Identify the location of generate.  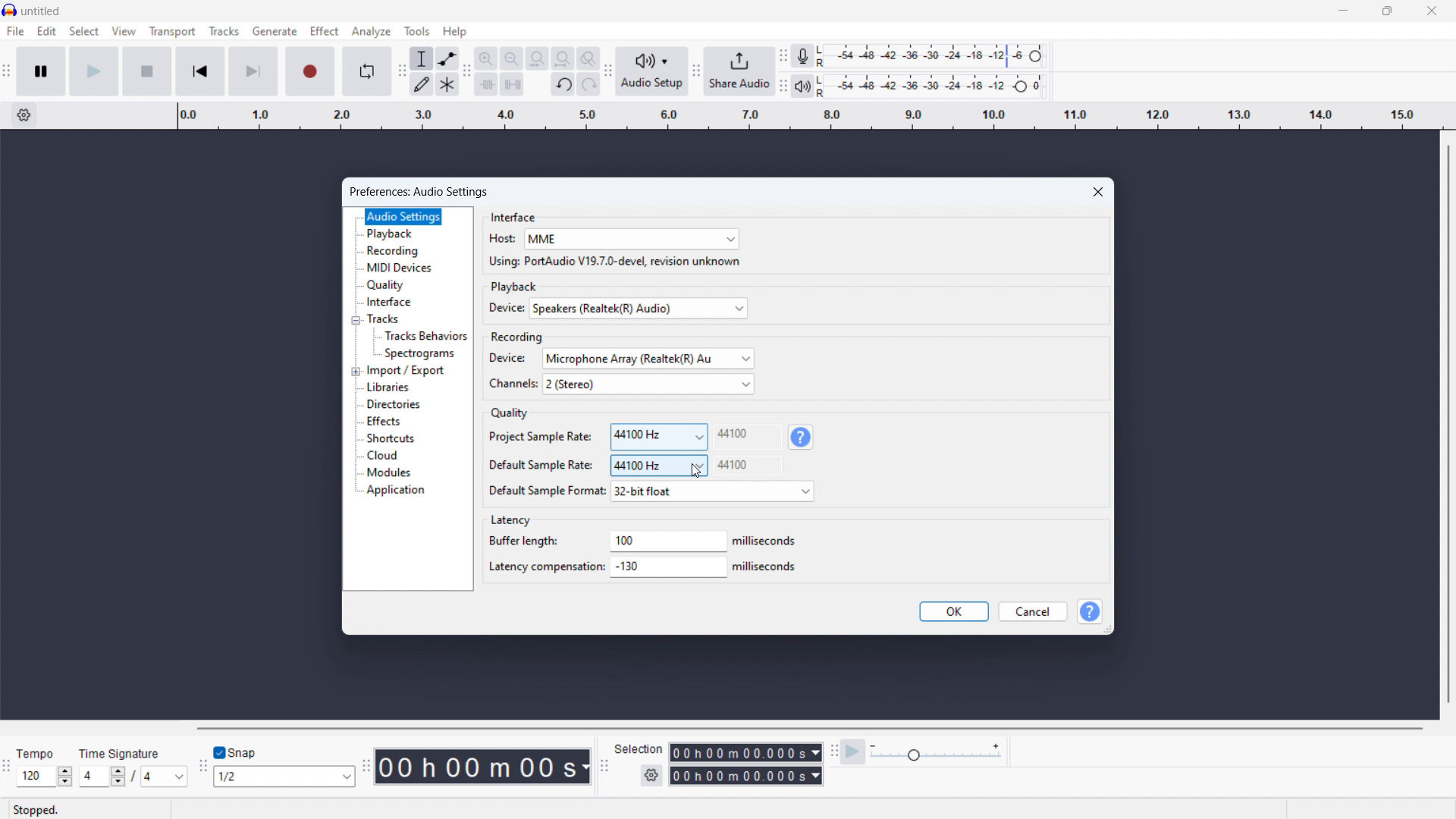
(275, 31).